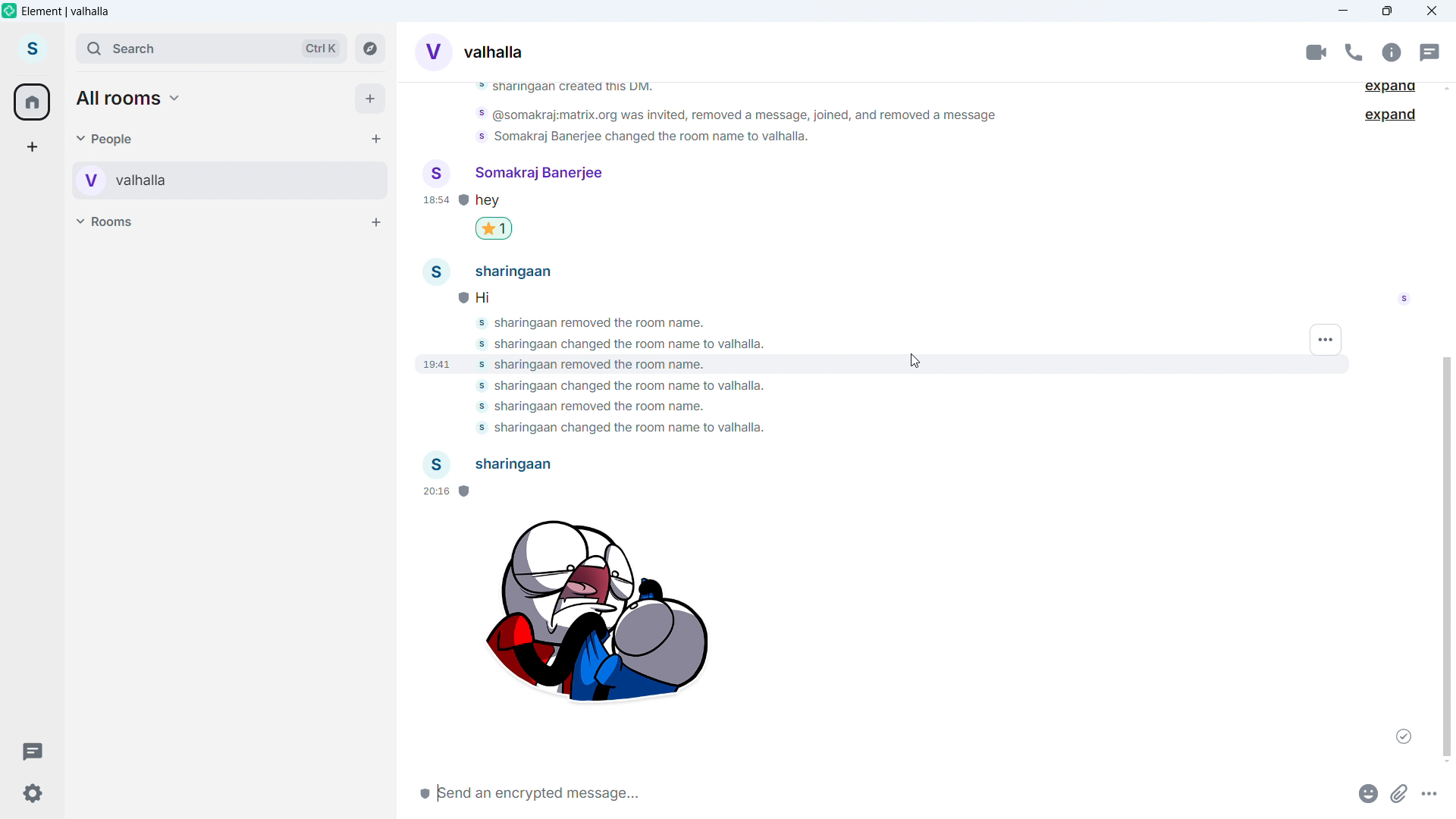 Image resolution: width=1456 pixels, height=819 pixels. Describe the element at coordinates (1344, 11) in the screenshot. I see `minimize` at that location.